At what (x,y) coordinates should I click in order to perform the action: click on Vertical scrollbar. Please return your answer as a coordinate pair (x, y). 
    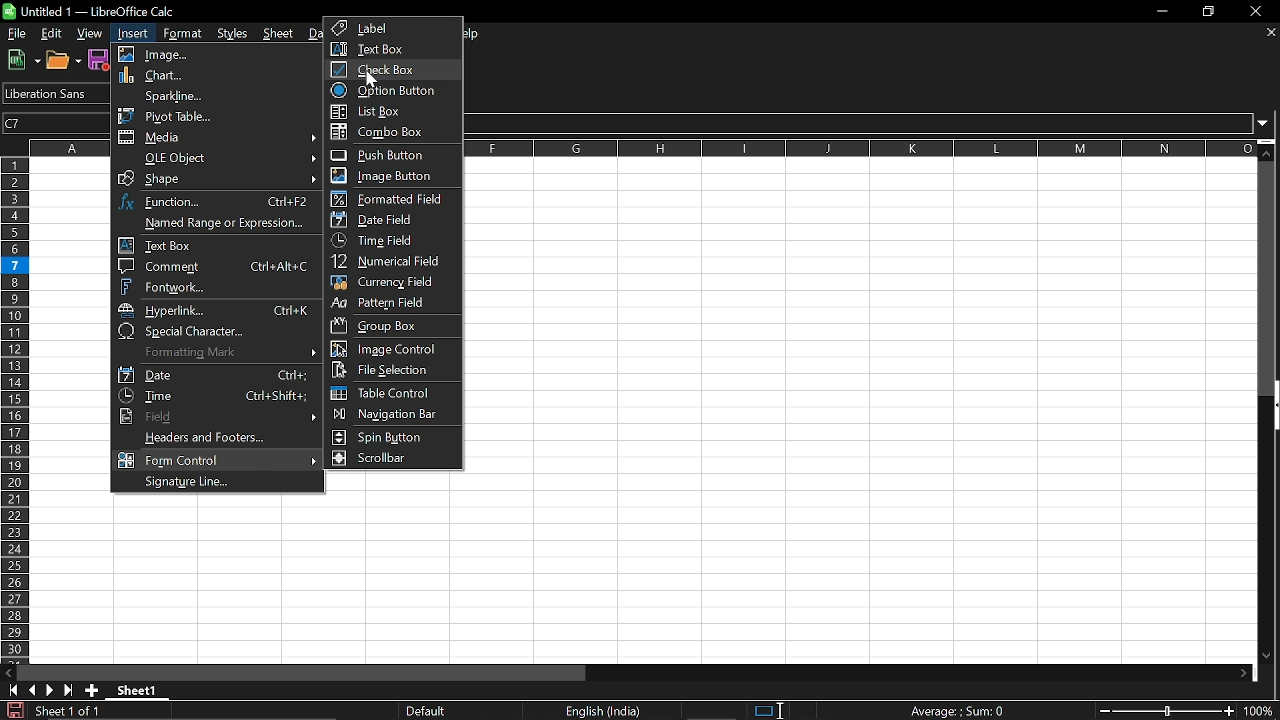
    Looking at the image, I should click on (1269, 278).